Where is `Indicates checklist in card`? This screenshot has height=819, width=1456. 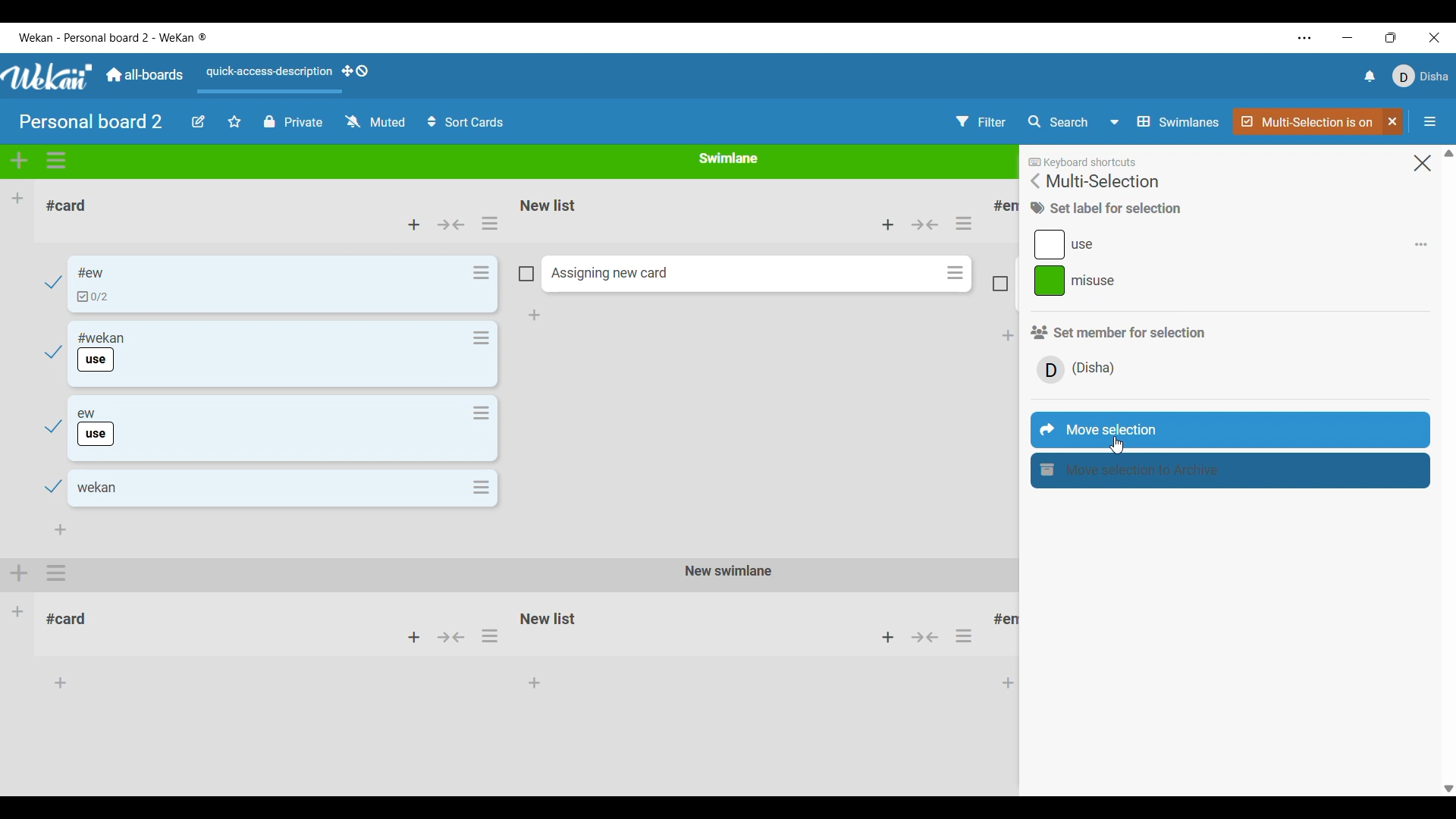
Indicates checklist in card is located at coordinates (93, 296).